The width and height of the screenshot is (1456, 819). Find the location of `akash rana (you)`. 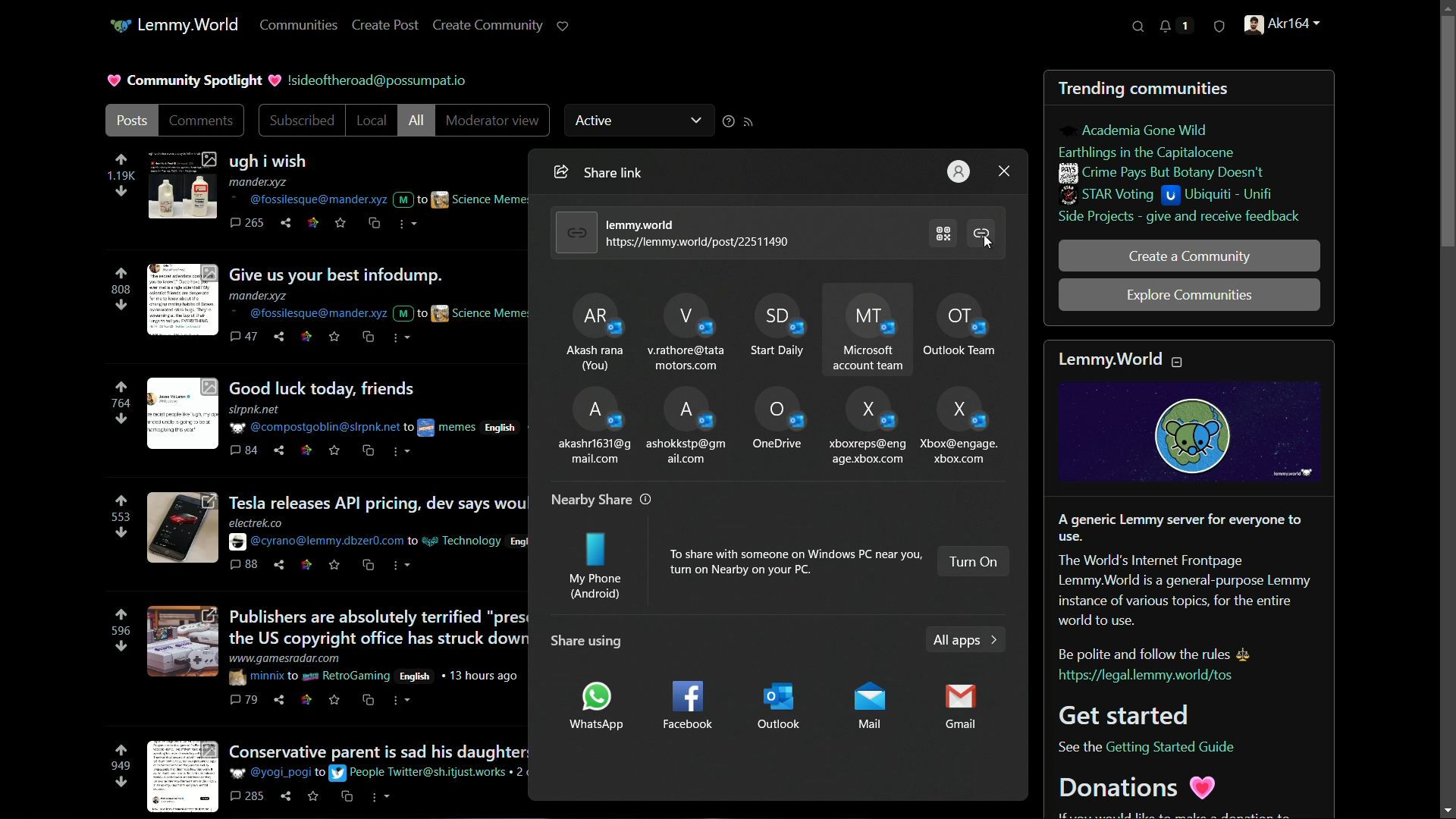

akash rana (you) is located at coordinates (592, 329).